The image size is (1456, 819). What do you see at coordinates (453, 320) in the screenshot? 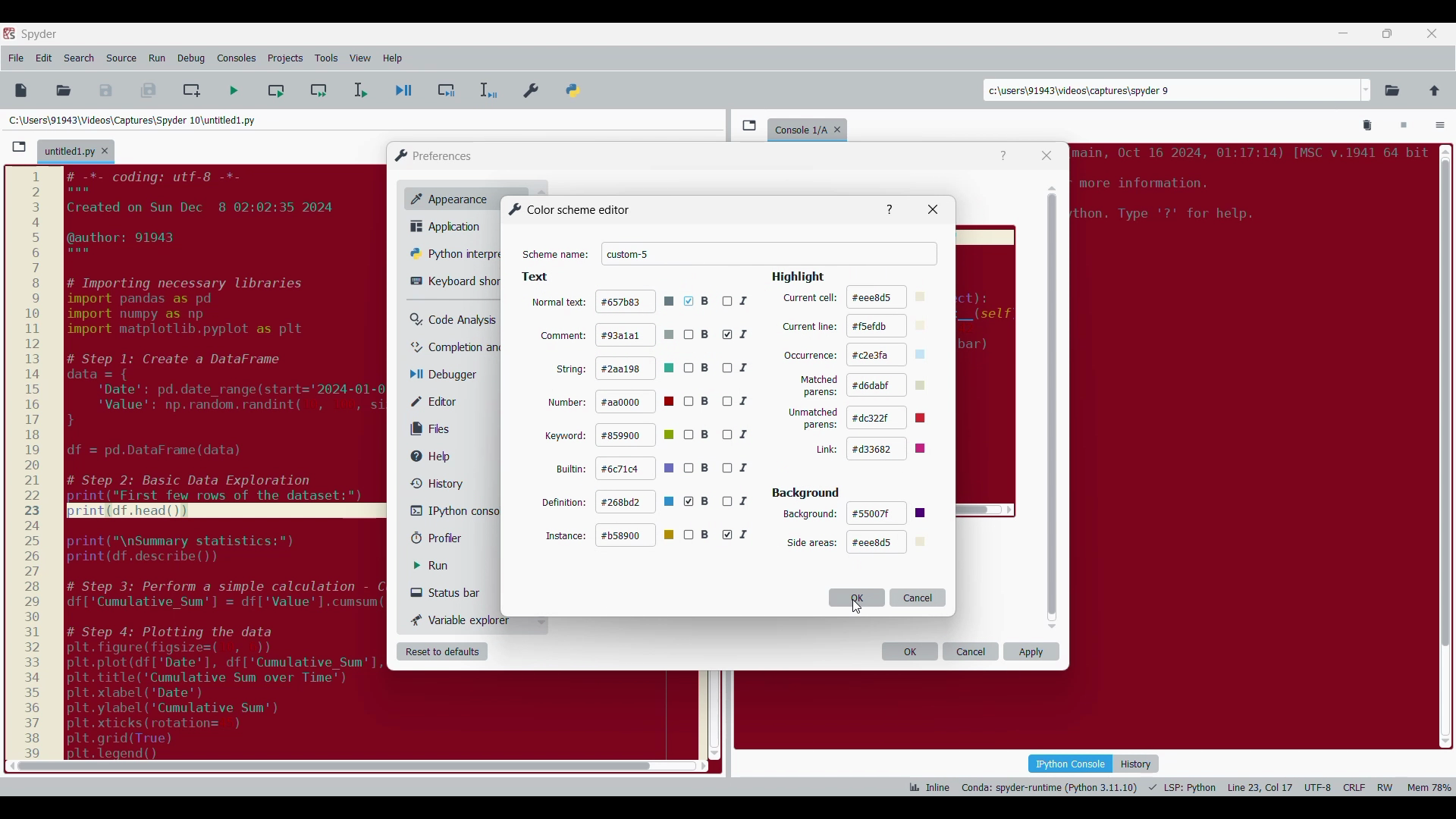
I see `Code analysis` at bounding box center [453, 320].